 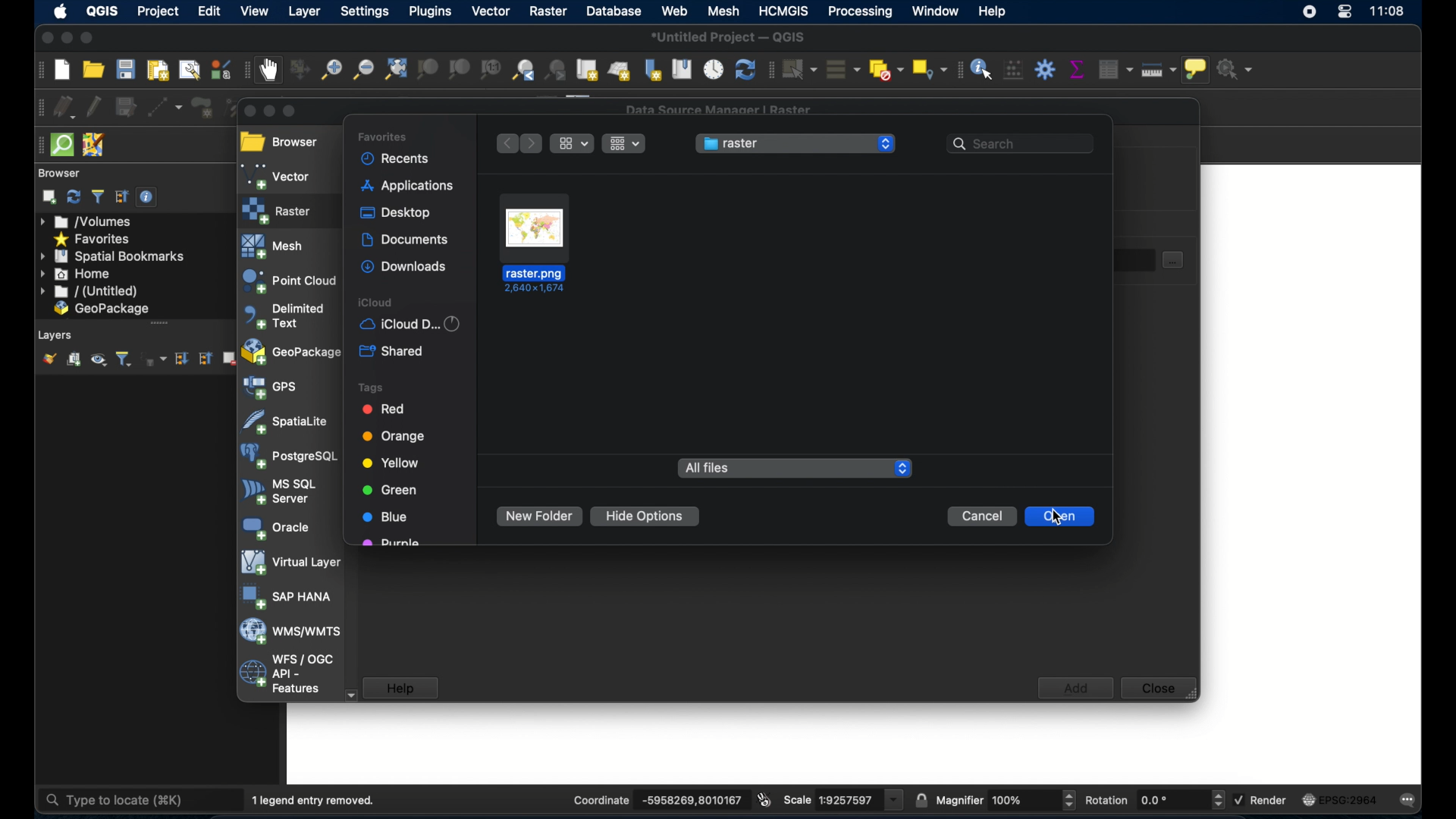 I want to click on browser, so click(x=283, y=138).